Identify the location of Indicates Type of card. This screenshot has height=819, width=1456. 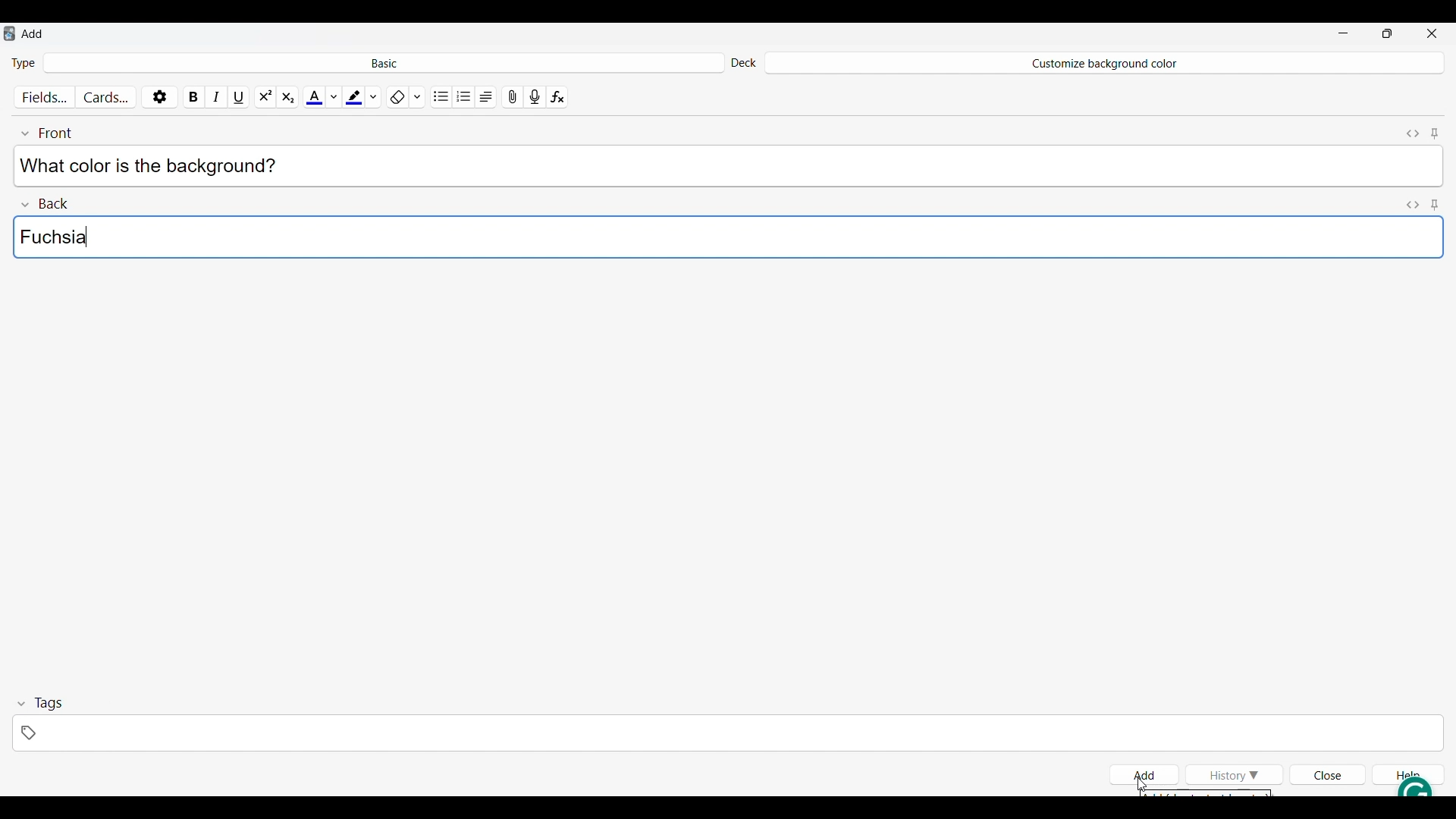
(24, 62).